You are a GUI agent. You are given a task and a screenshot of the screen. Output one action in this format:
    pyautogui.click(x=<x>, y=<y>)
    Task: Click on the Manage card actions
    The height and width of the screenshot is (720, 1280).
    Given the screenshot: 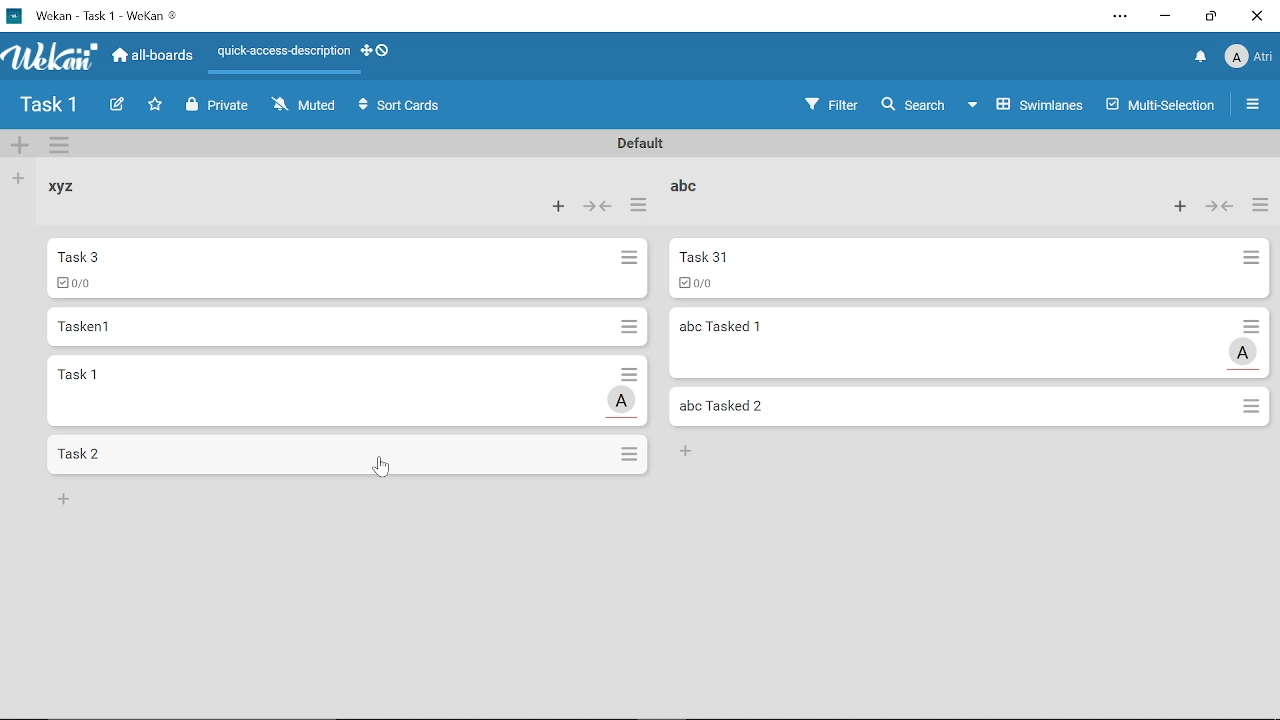 What is the action you would take?
    pyautogui.click(x=1260, y=207)
    